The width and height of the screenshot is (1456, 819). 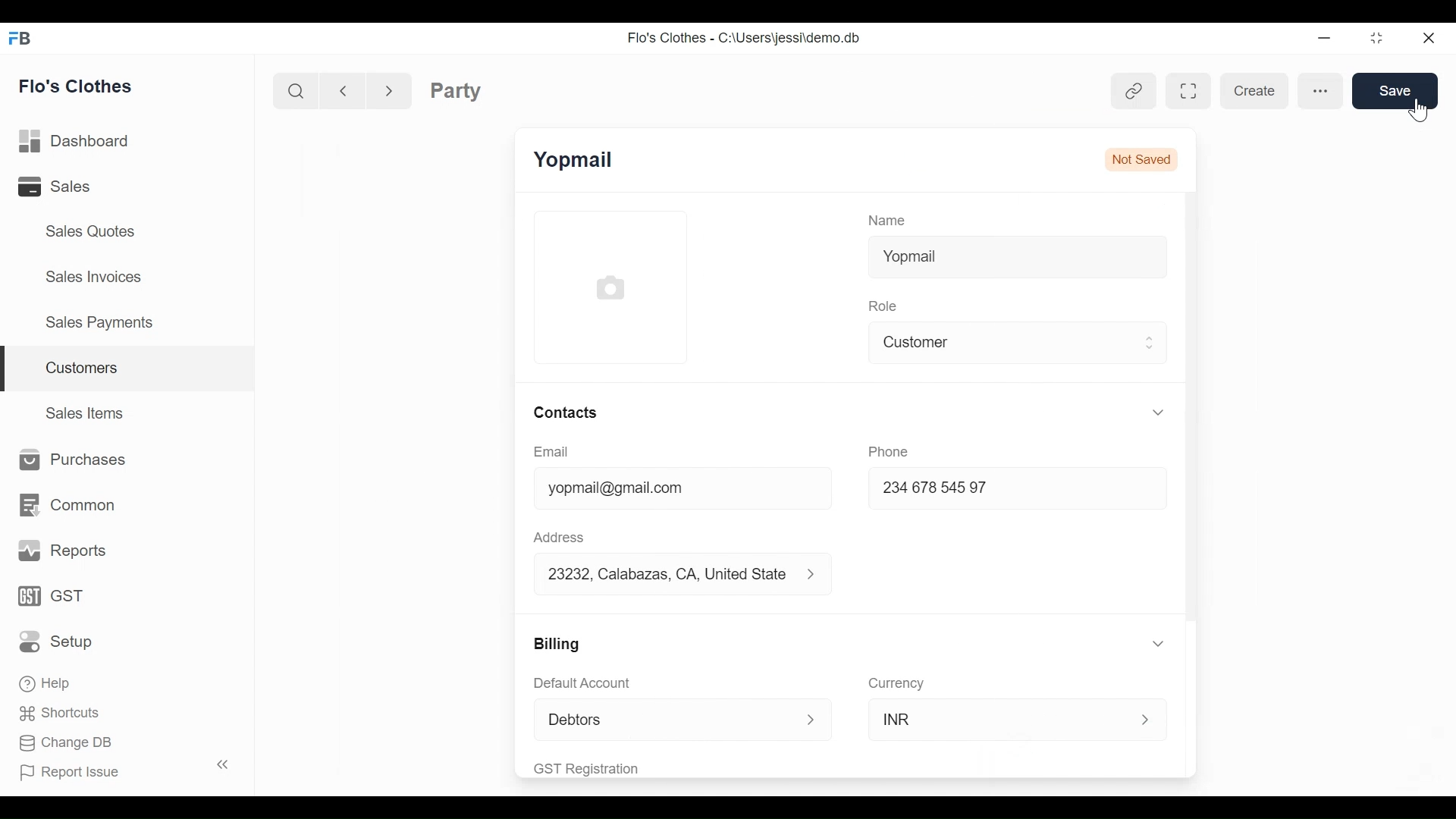 I want to click on Navigate Forward, so click(x=389, y=89).